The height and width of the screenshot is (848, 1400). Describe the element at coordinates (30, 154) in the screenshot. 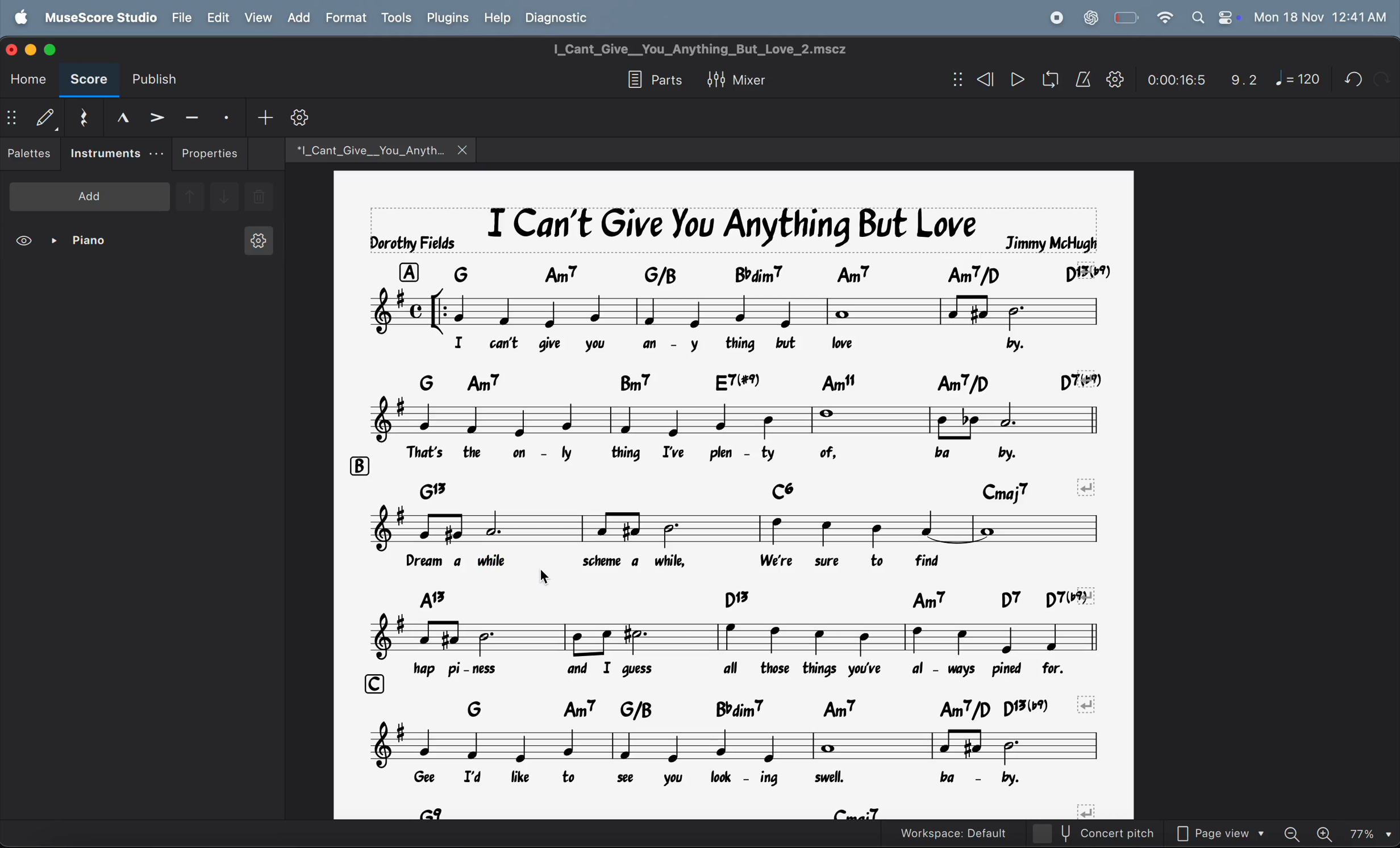

I see `pallettes` at that location.